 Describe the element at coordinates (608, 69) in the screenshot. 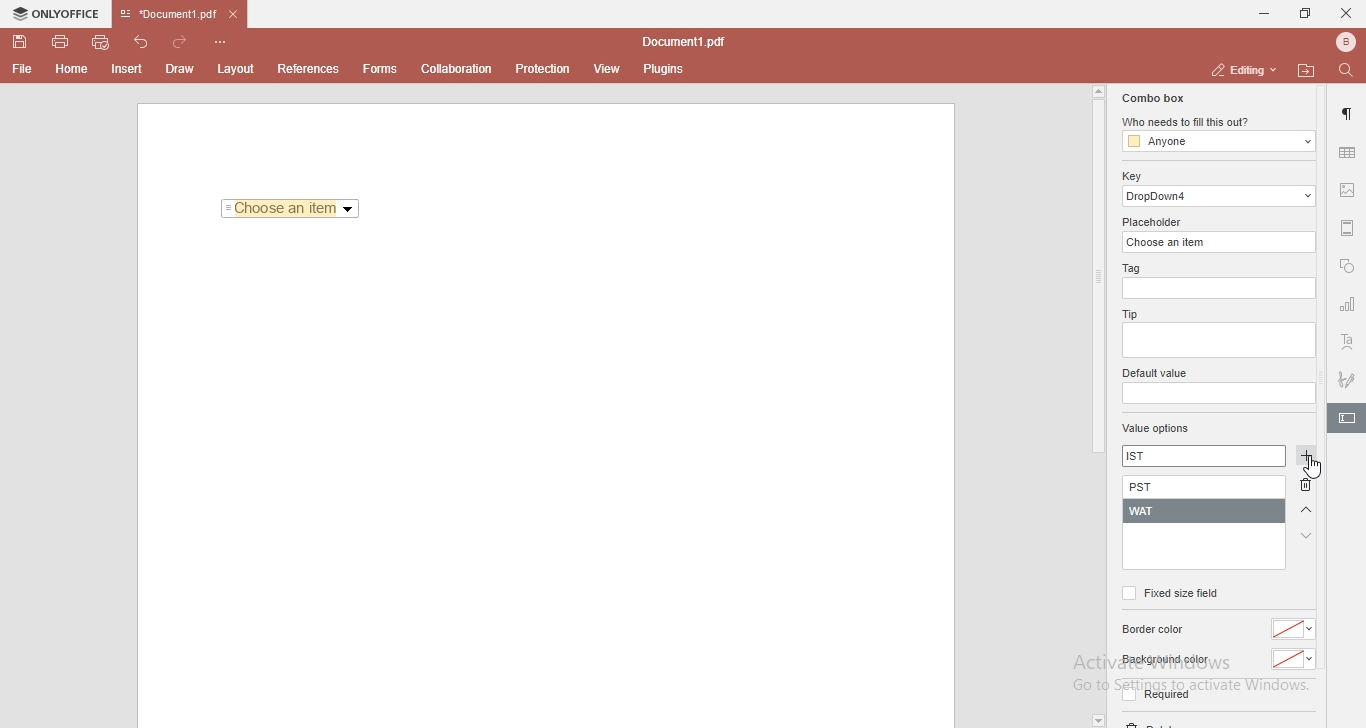

I see `view` at that location.